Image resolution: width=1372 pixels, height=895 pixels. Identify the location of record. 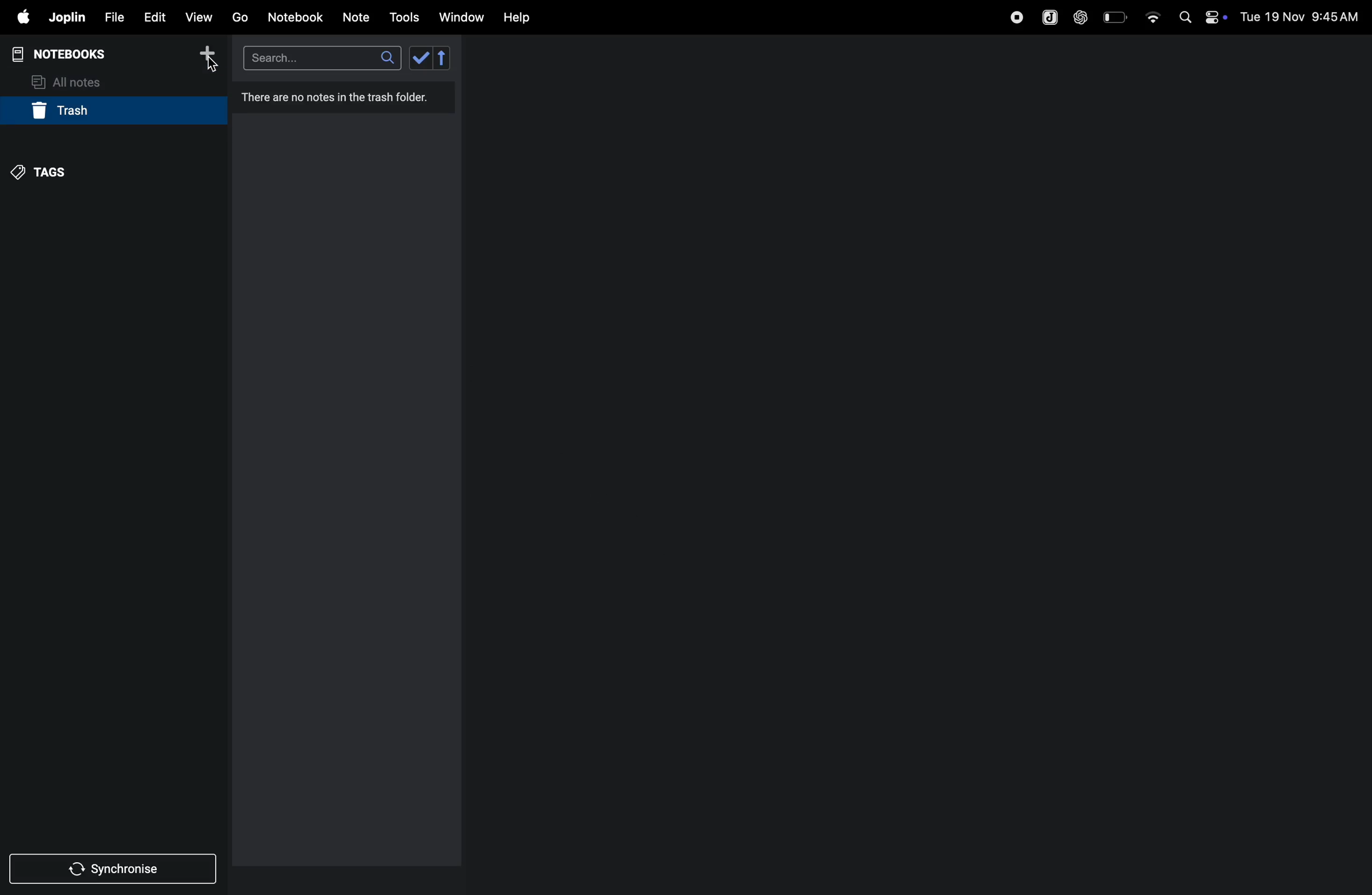
(1016, 16).